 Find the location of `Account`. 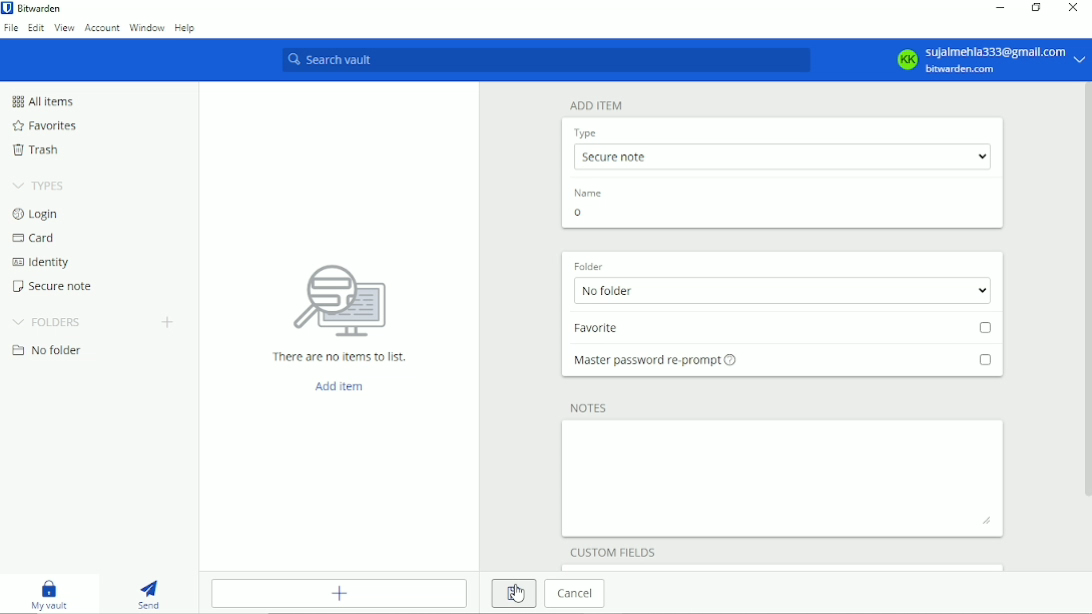

Account is located at coordinates (102, 28).